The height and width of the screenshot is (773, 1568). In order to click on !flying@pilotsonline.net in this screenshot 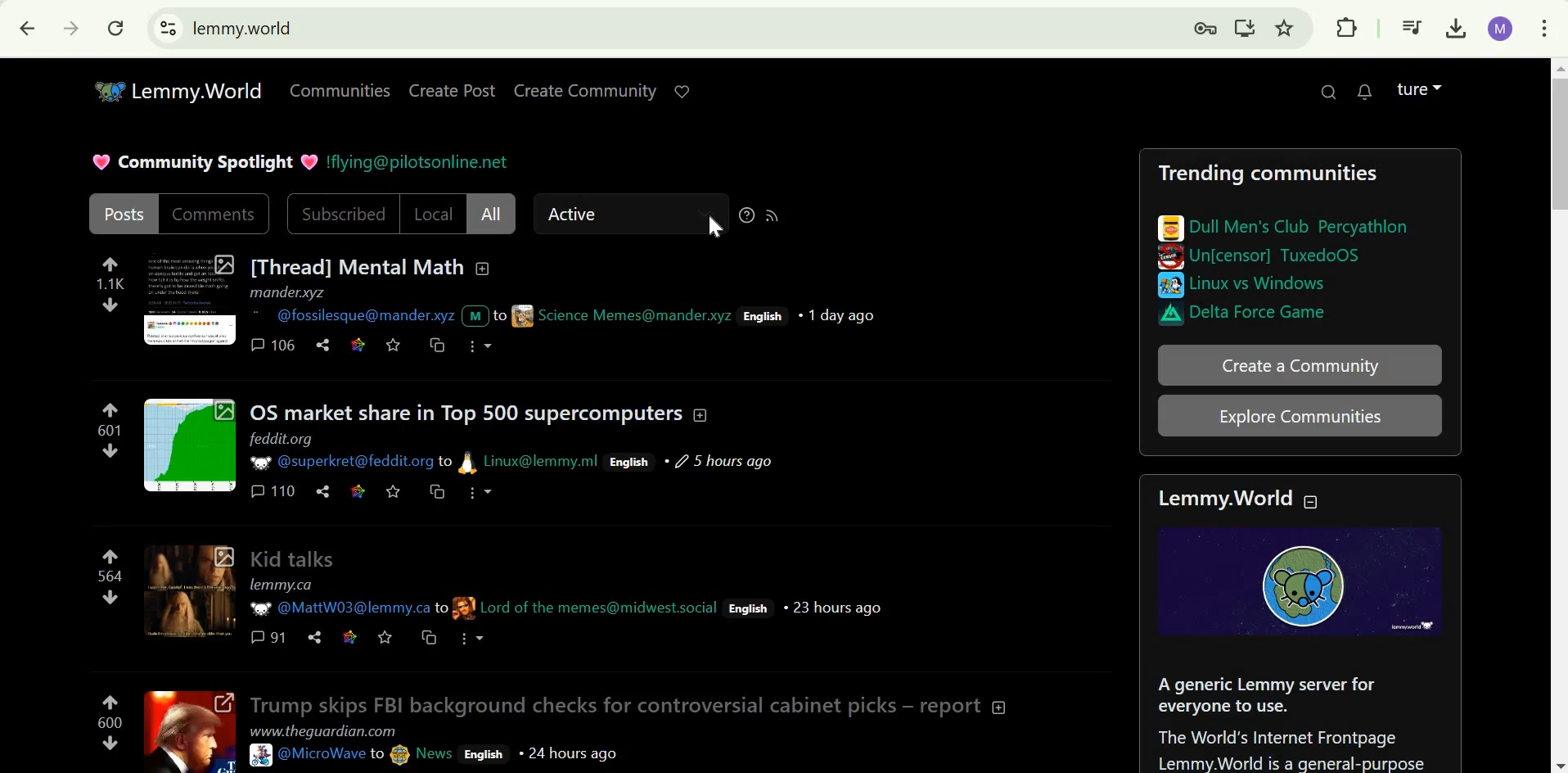, I will do `click(419, 164)`.